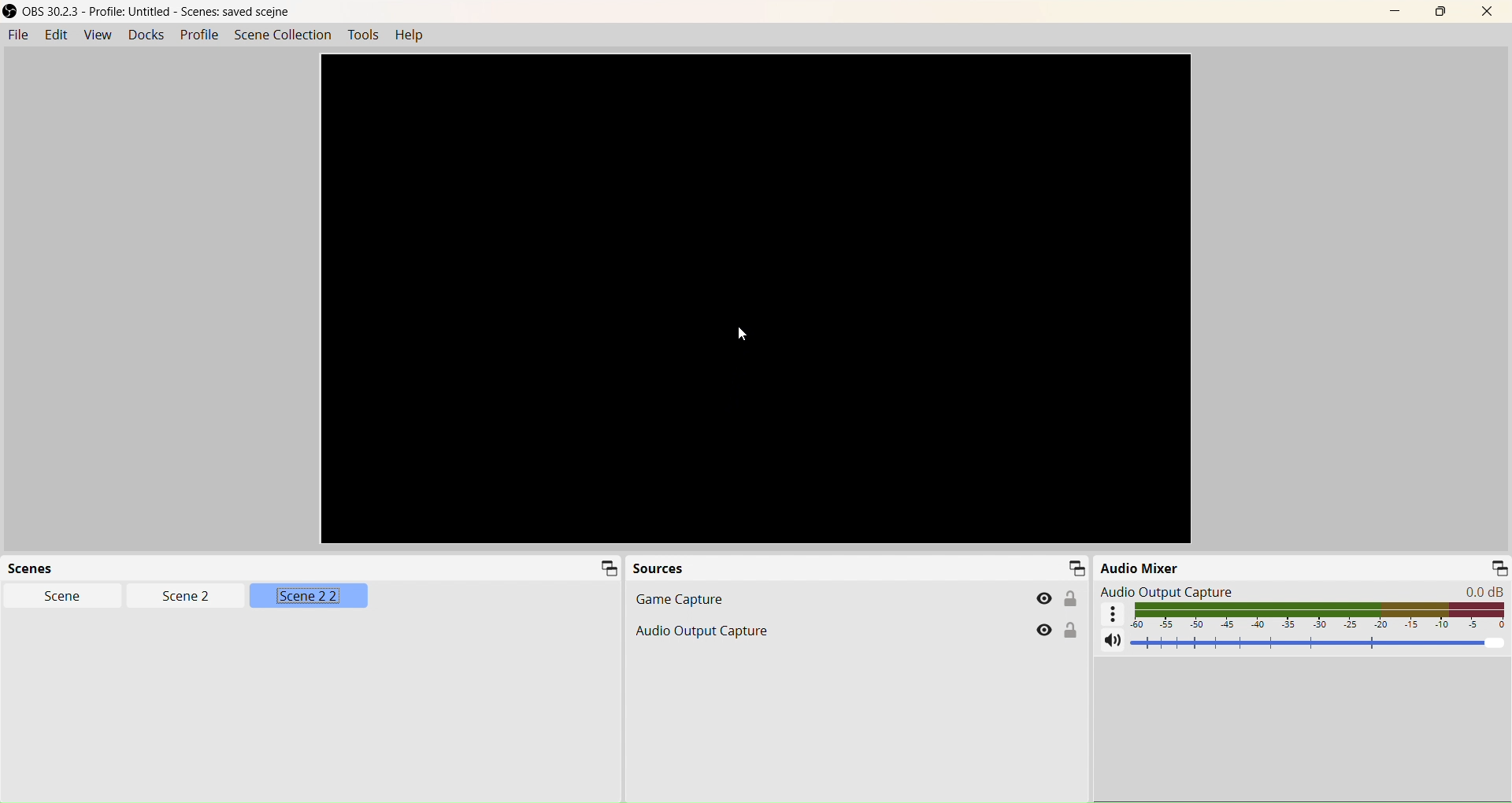  I want to click on Scene, so click(36, 568).